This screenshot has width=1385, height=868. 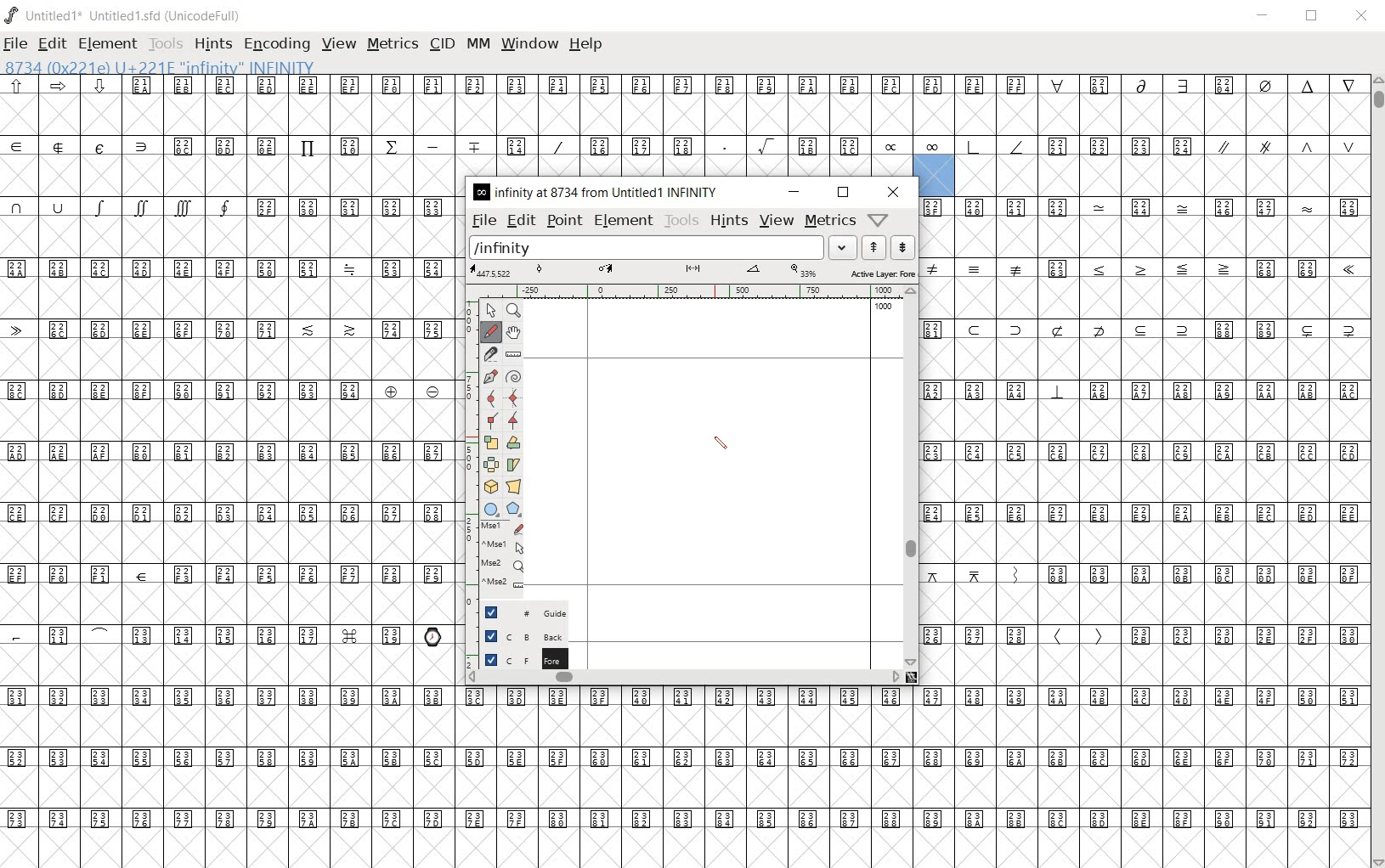 What do you see at coordinates (1309, 206) in the screenshot?
I see `symbol` at bounding box center [1309, 206].